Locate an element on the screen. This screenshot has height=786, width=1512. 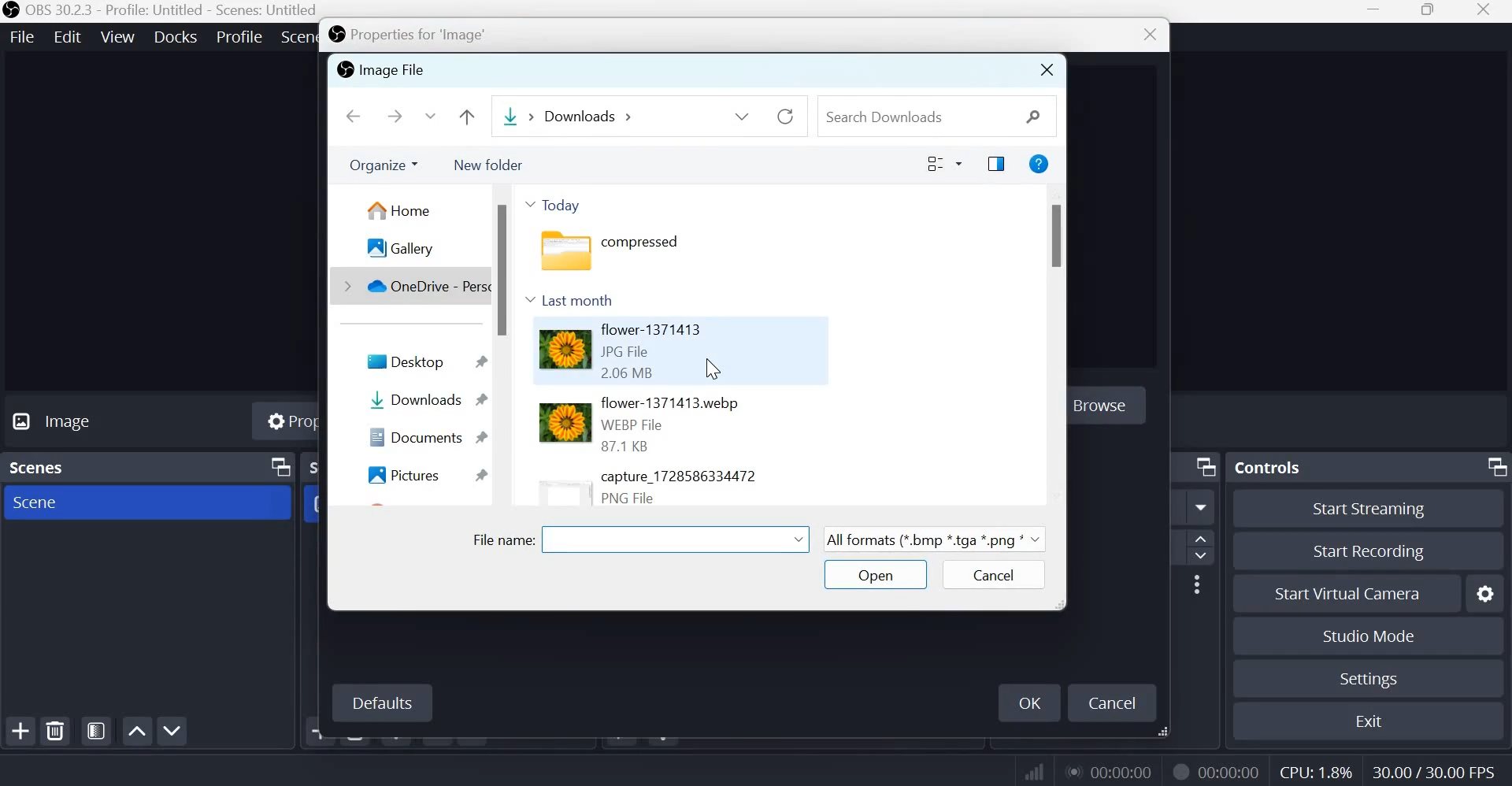
Decrease is located at coordinates (1204, 558).